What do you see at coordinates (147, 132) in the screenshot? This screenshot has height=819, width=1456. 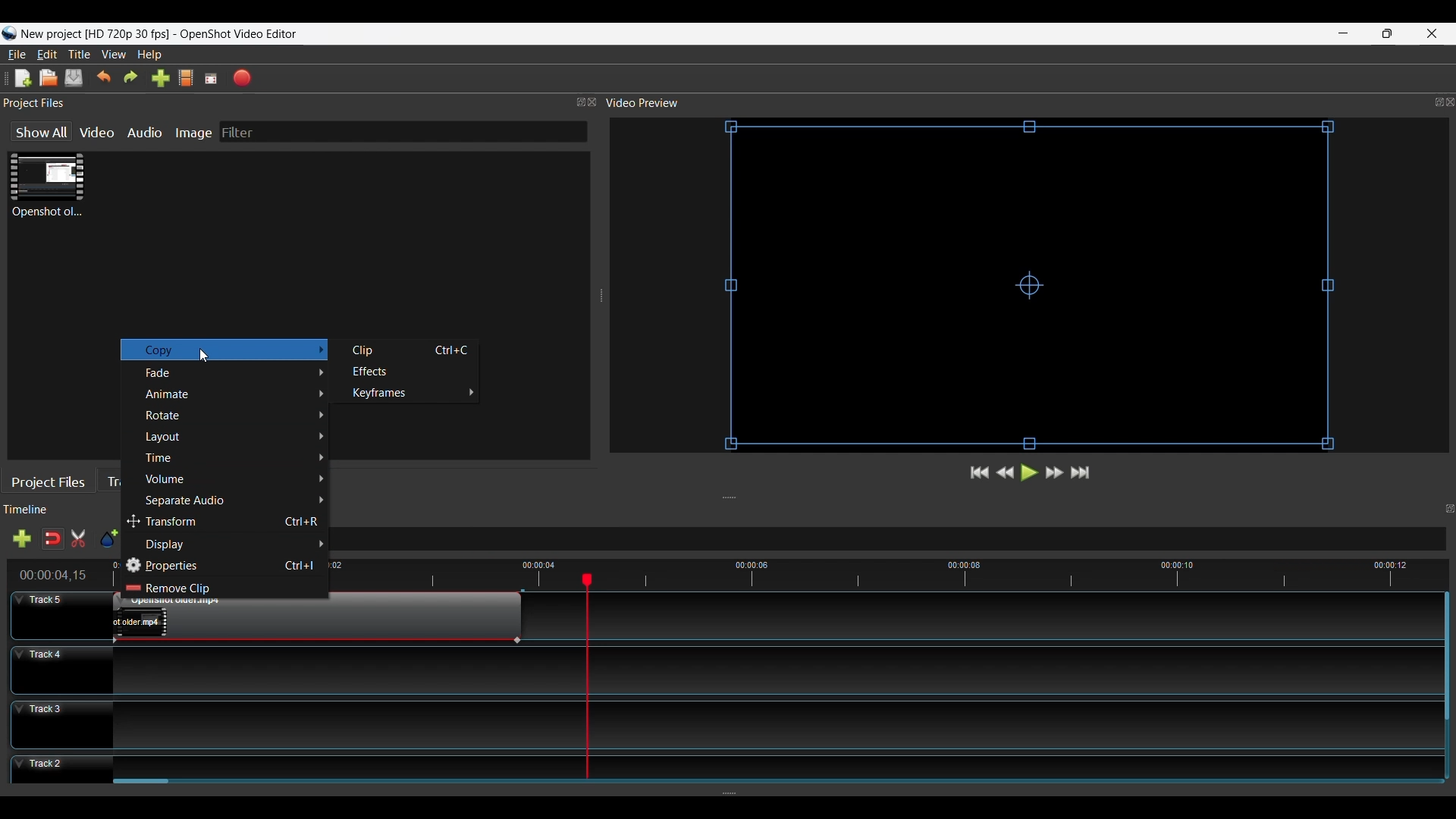 I see `Audio` at bounding box center [147, 132].